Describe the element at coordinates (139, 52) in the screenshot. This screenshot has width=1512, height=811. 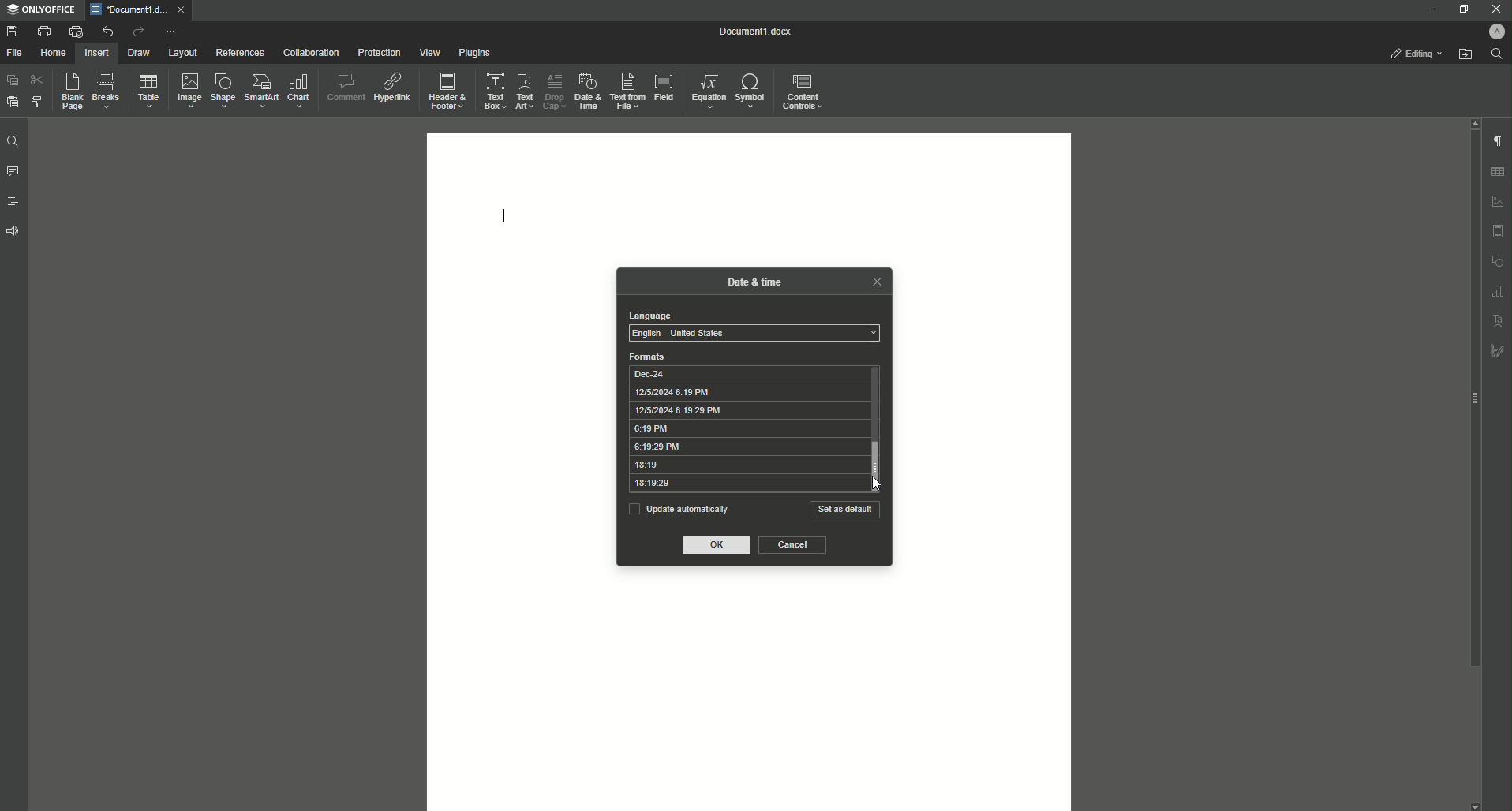
I see `Draw` at that location.